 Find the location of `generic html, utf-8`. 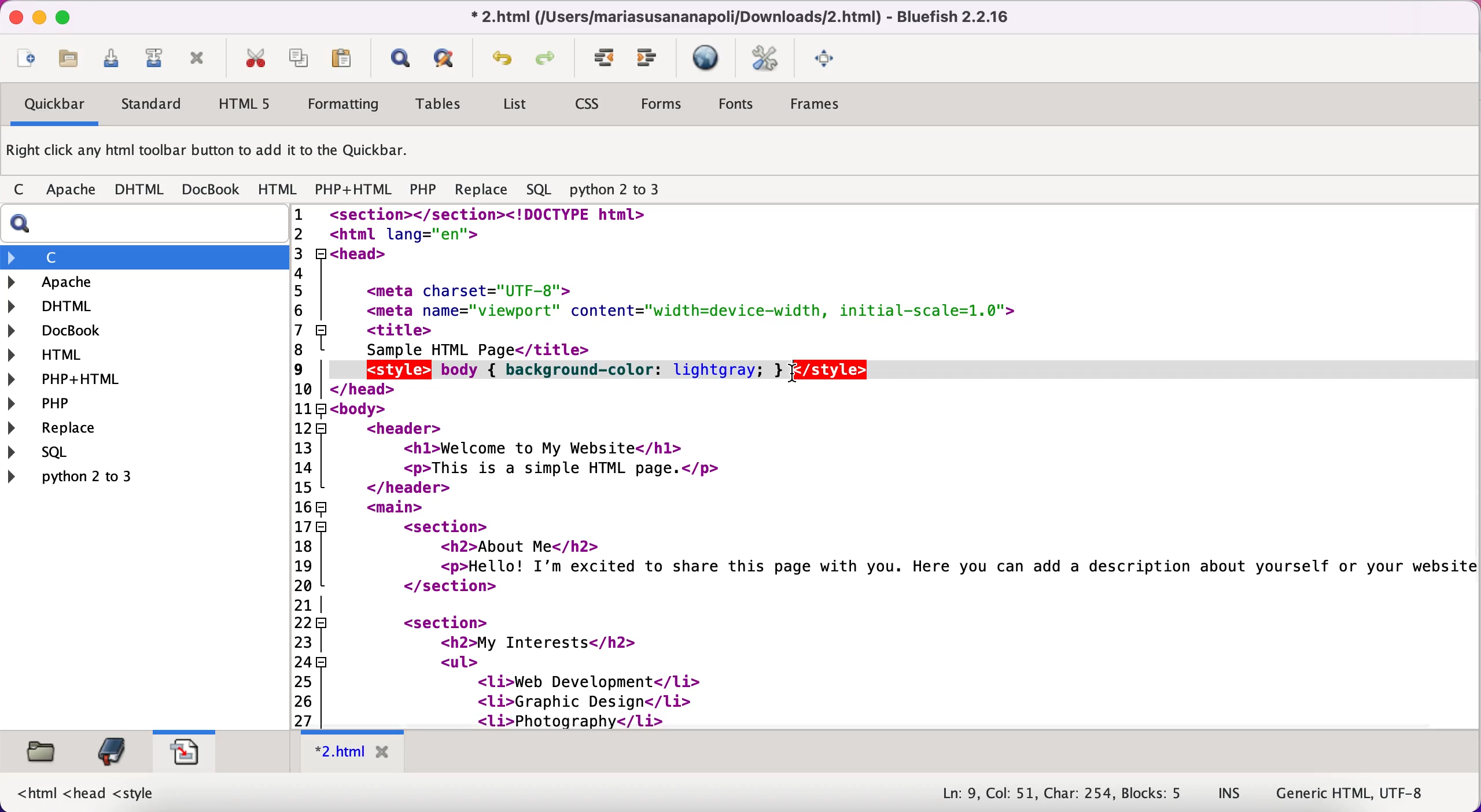

generic html, utf-8 is located at coordinates (1361, 792).